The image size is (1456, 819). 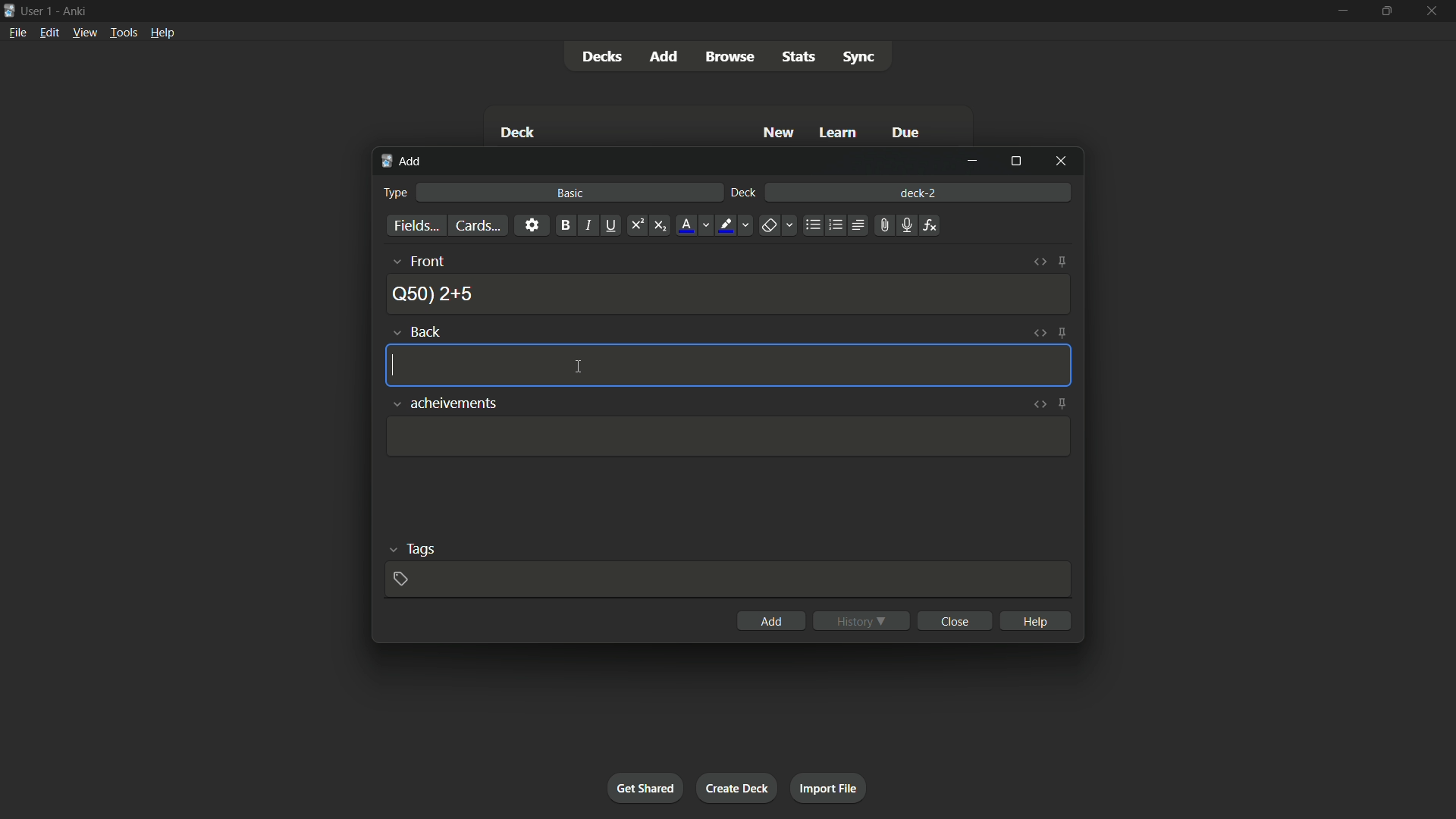 I want to click on tools menu, so click(x=124, y=33).